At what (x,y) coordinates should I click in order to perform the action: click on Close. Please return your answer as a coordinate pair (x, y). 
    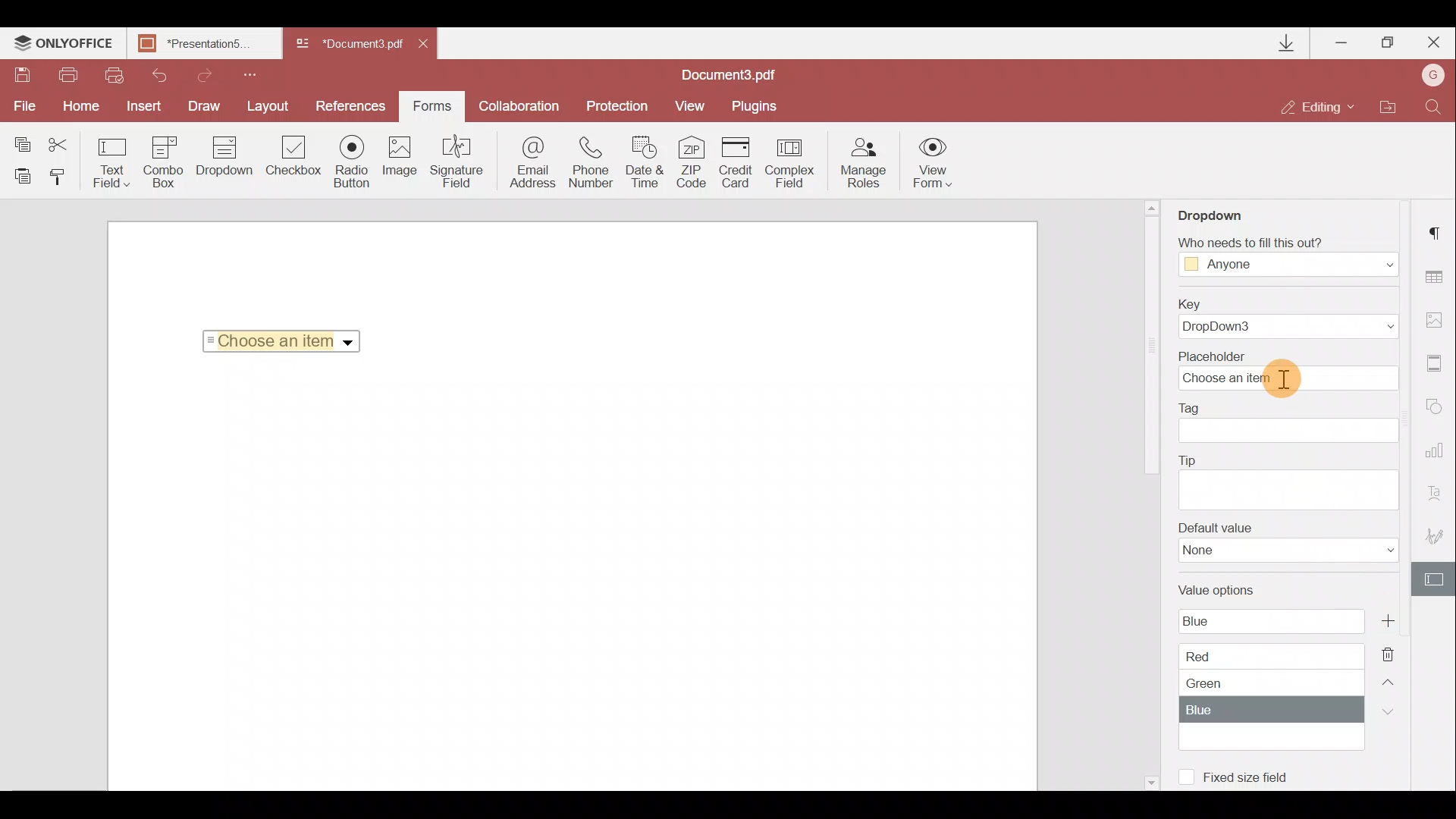
    Looking at the image, I should click on (431, 47).